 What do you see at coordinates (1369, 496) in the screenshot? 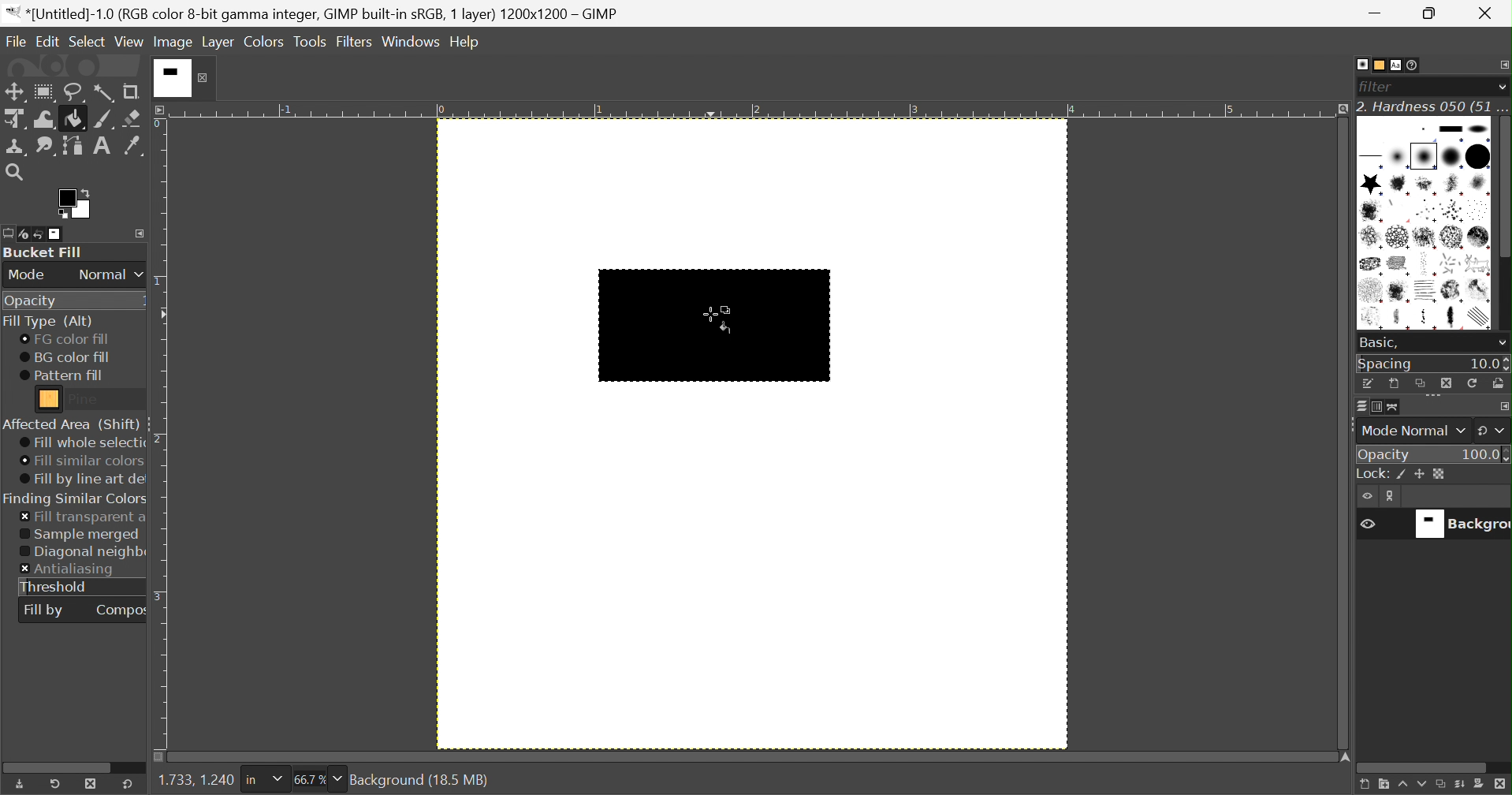
I see `Eye` at bounding box center [1369, 496].